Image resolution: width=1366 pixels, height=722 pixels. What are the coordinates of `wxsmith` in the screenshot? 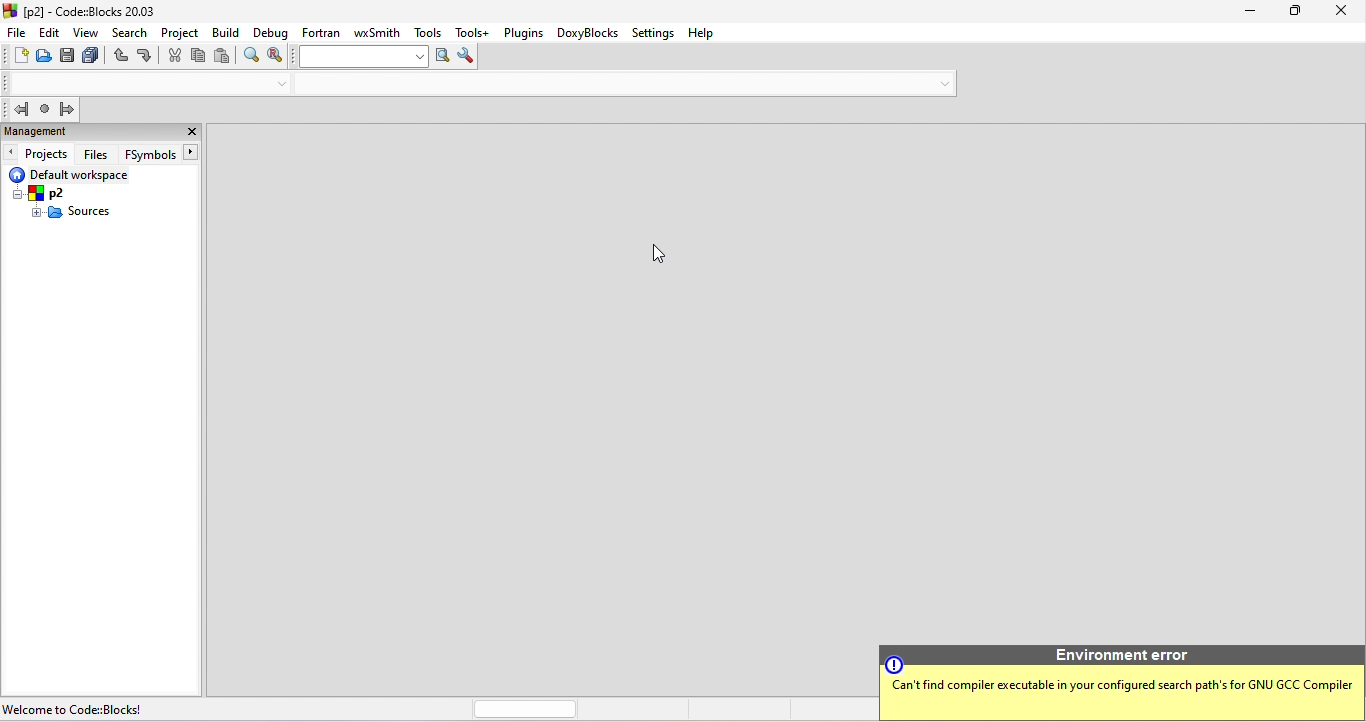 It's located at (375, 34).